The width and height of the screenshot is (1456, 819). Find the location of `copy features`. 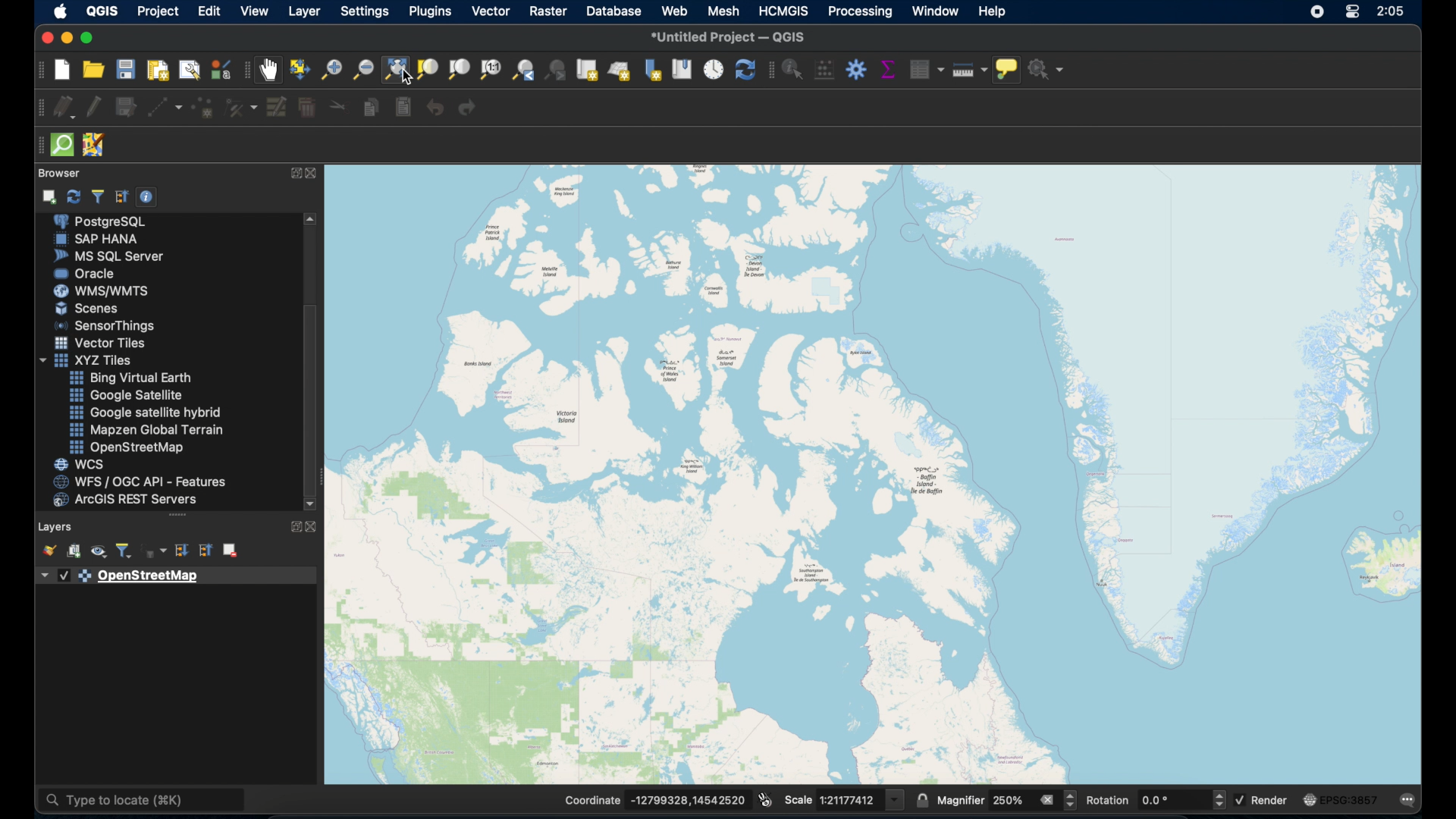

copy features is located at coordinates (366, 108).